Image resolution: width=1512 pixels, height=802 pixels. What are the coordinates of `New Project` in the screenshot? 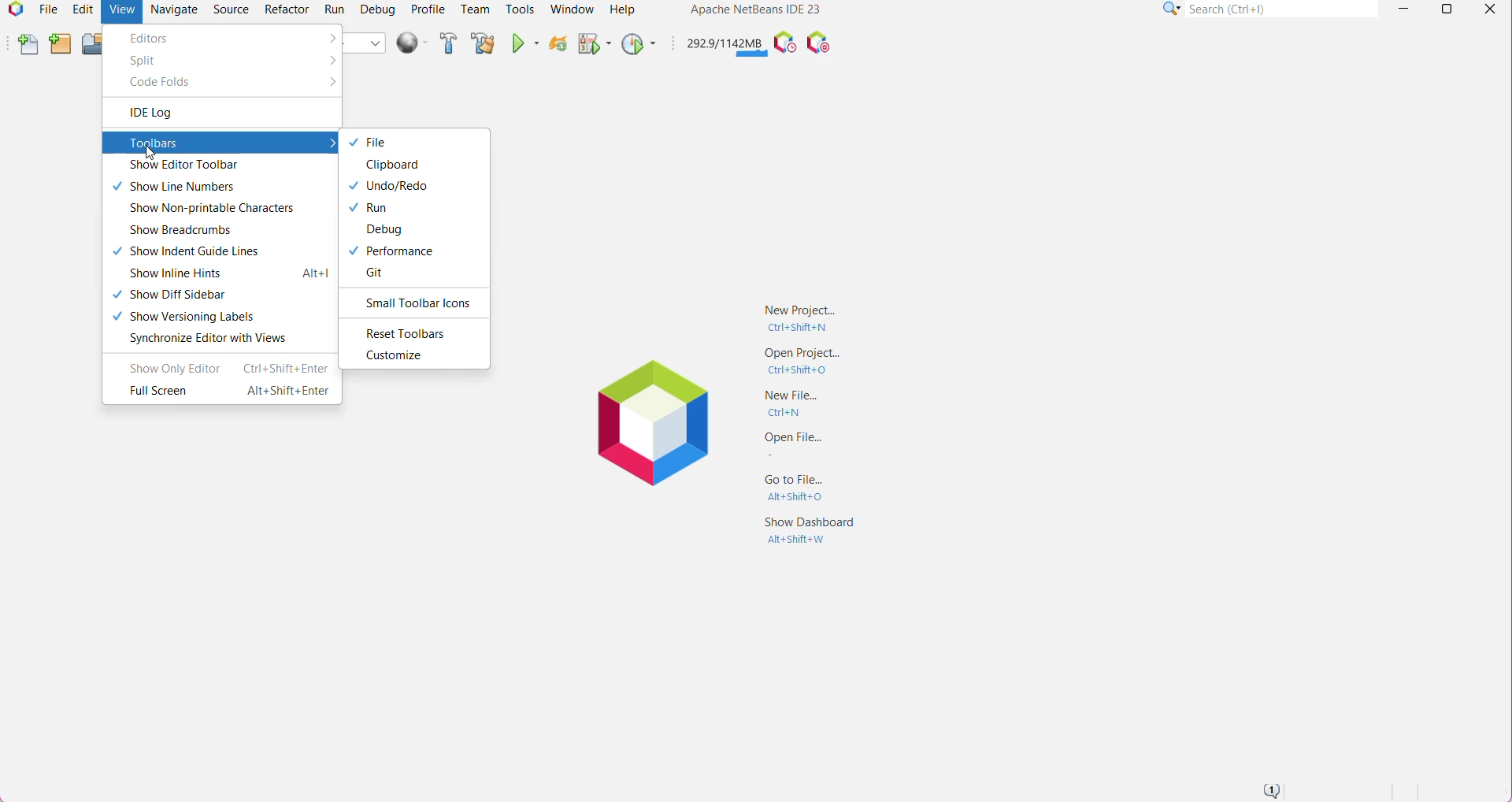 It's located at (59, 45).